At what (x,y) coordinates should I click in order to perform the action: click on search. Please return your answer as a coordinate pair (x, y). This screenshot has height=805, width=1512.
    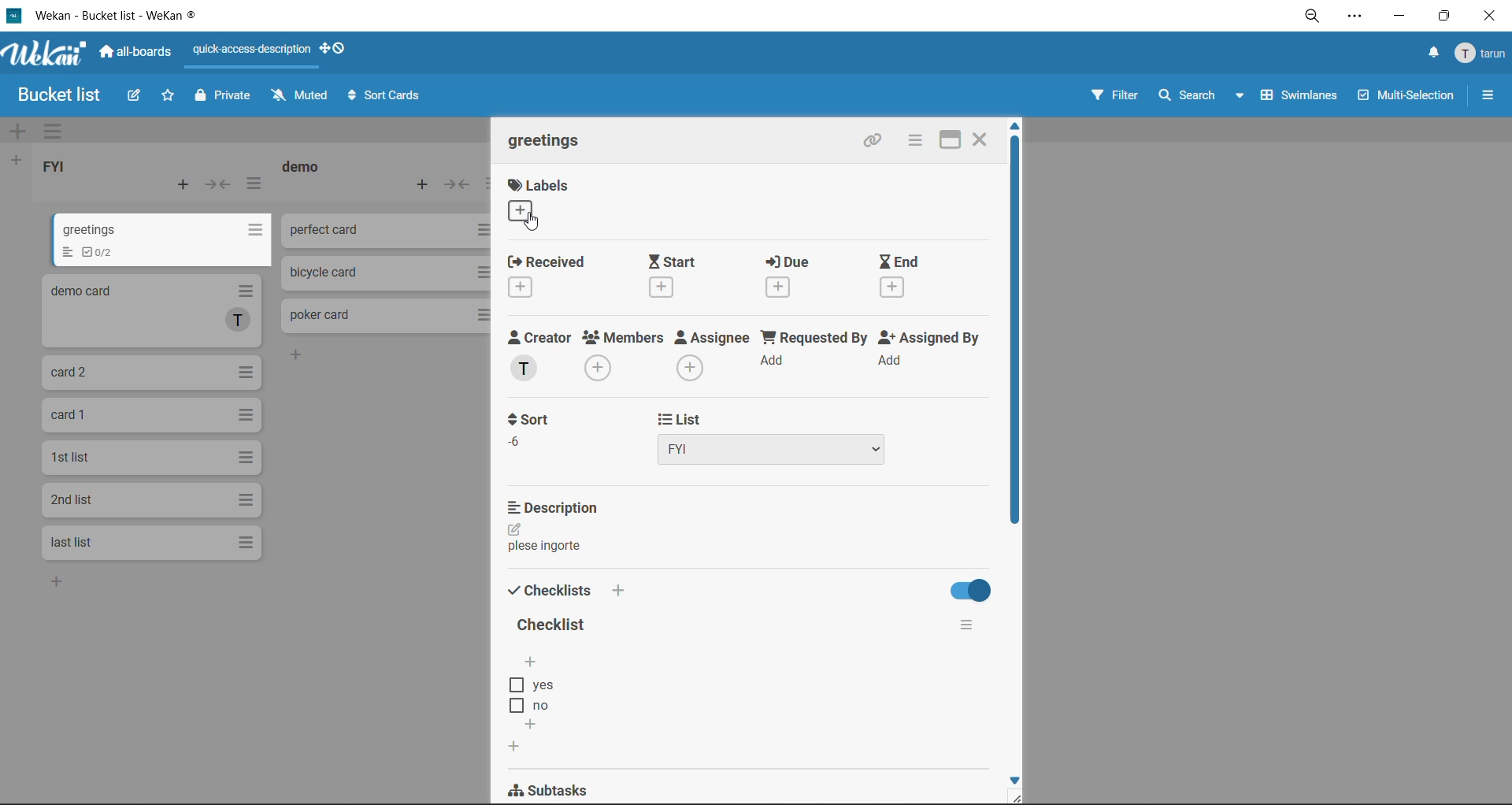
    Looking at the image, I should click on (1204, 98).